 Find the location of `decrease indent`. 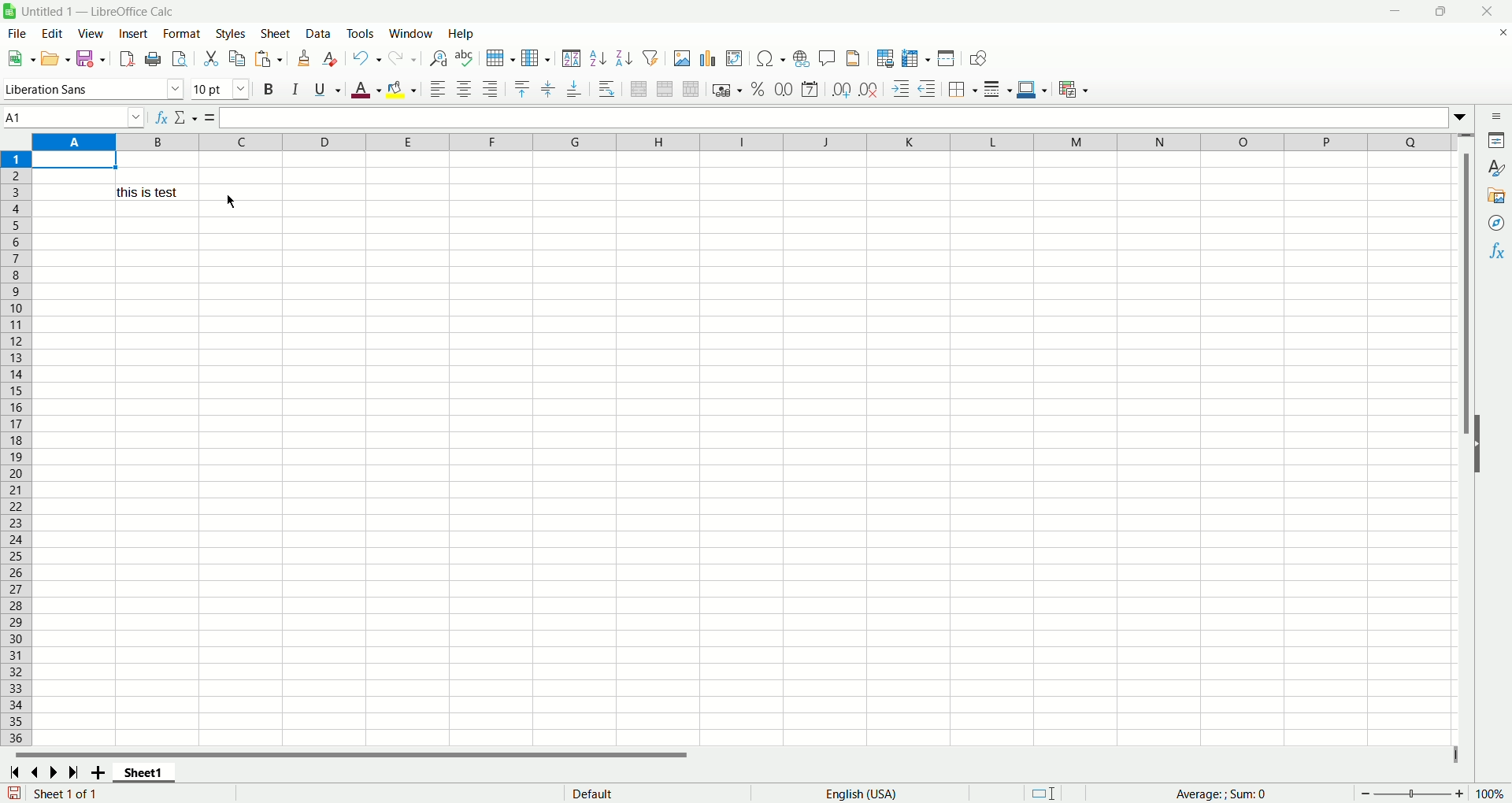

decrease indent is located at coordinates (928, 87).